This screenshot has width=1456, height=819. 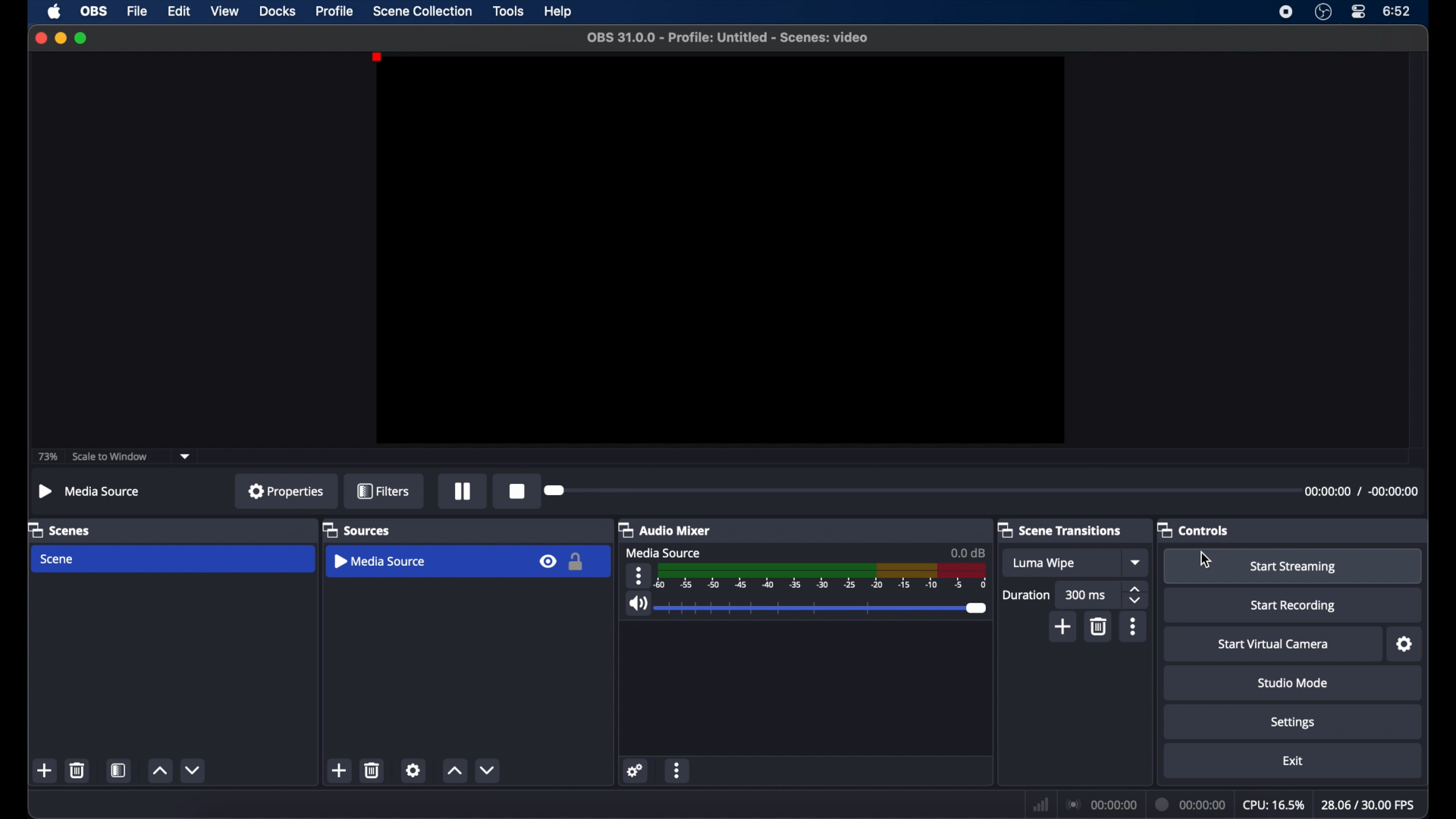 What do you see at coordinates (193, 769) in the screenshot?
I see `decrement` at bounding box center [193, 769].